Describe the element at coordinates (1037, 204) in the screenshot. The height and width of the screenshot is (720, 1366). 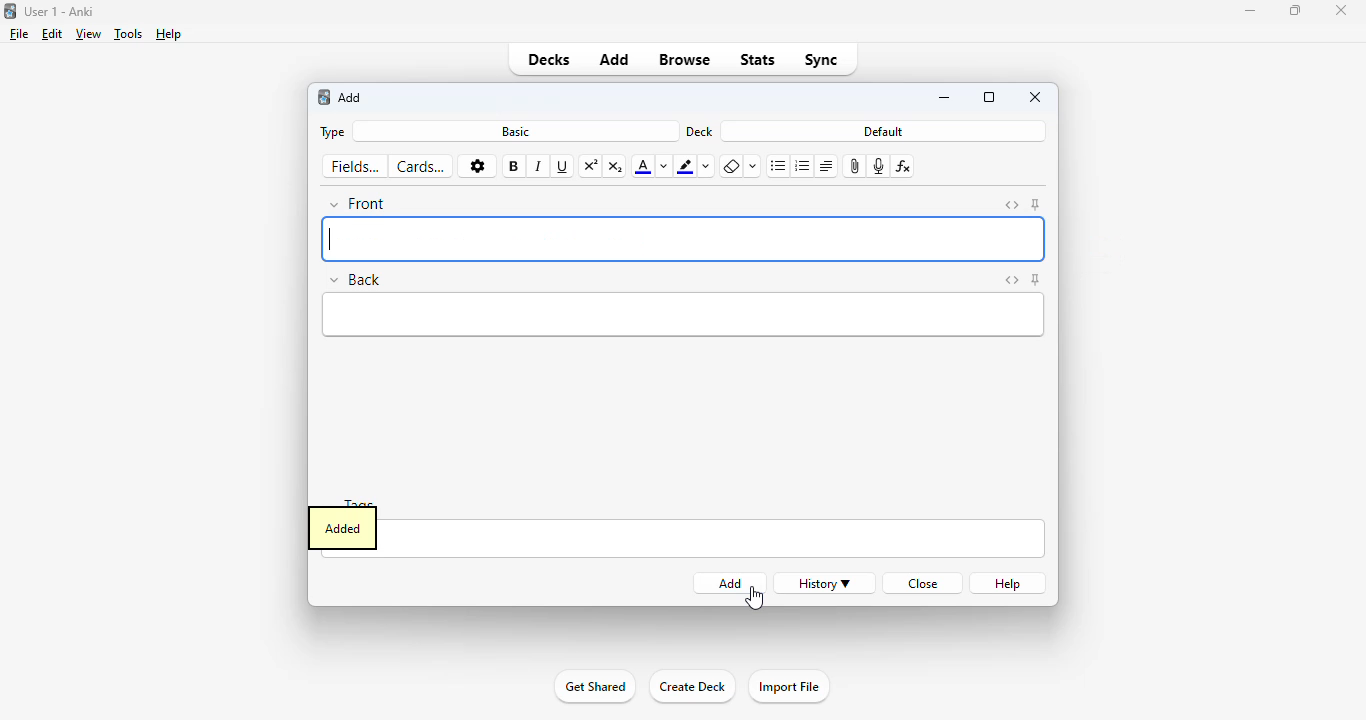
I see `toggle sticky` at that location.